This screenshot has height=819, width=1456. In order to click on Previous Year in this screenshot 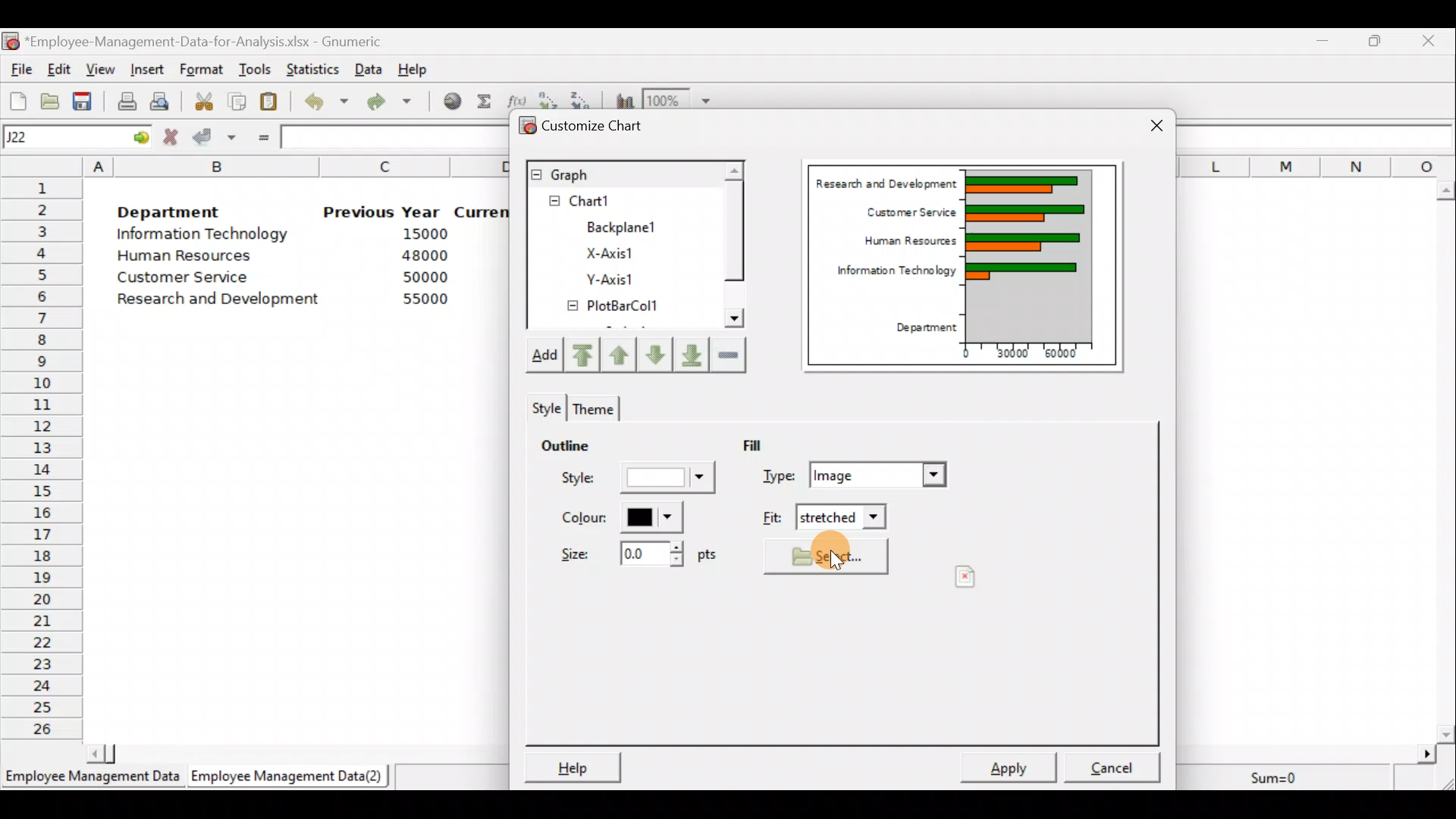, I will do `click(383, 211)`.